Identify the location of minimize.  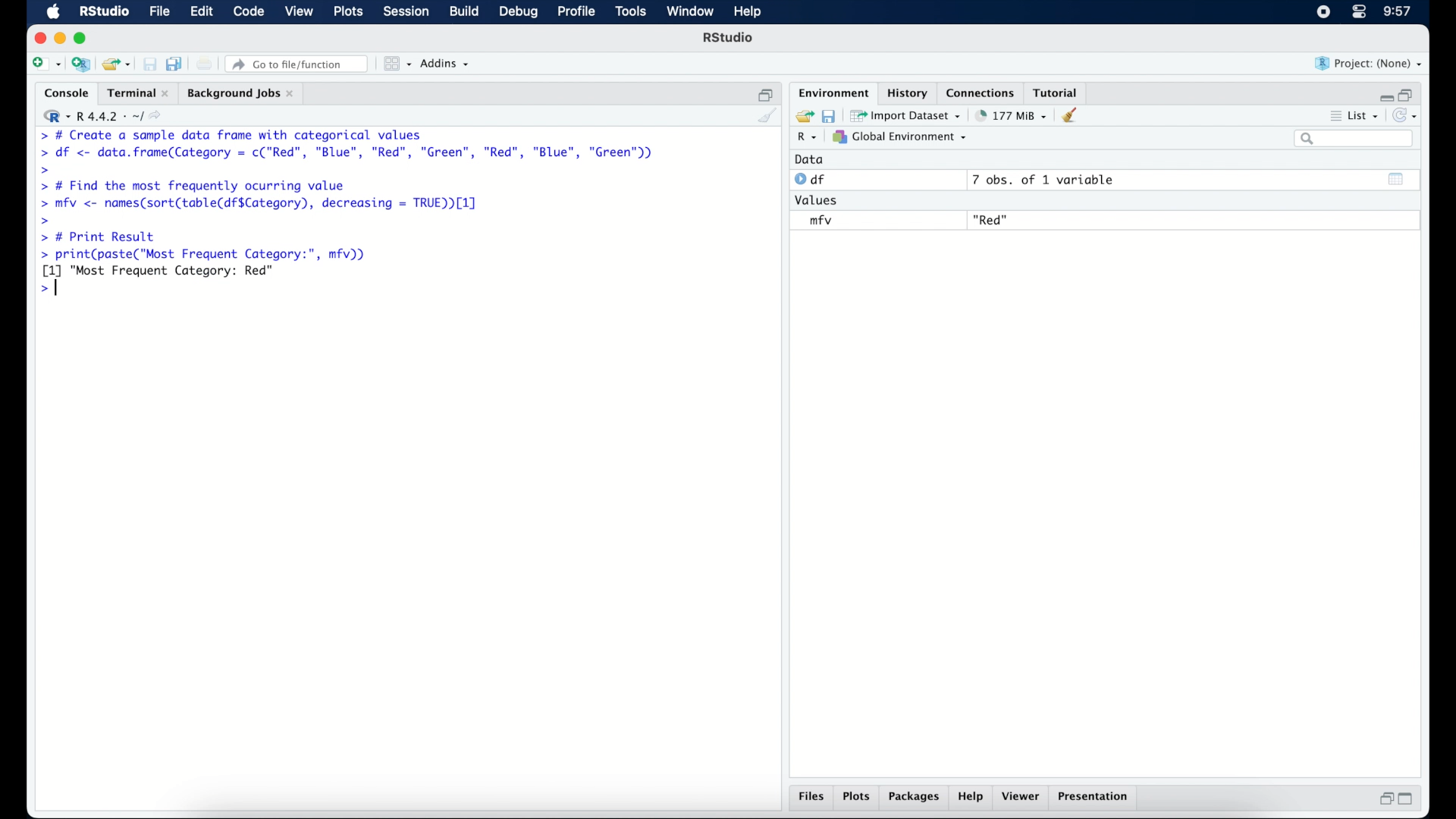
(1383, 95).